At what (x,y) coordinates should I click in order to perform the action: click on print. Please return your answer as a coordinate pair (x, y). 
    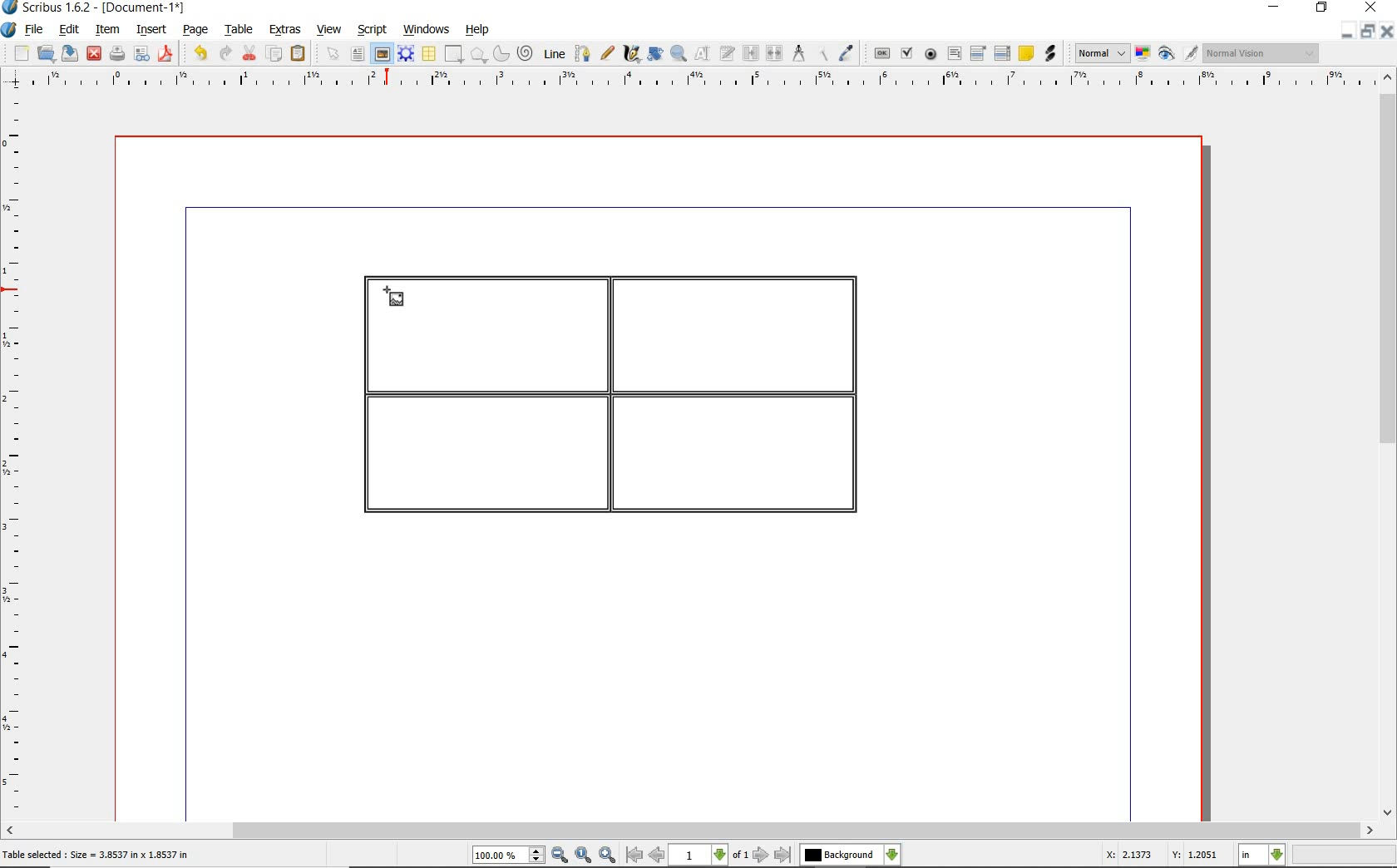
    Looking at the image, I should click on (116, 53).